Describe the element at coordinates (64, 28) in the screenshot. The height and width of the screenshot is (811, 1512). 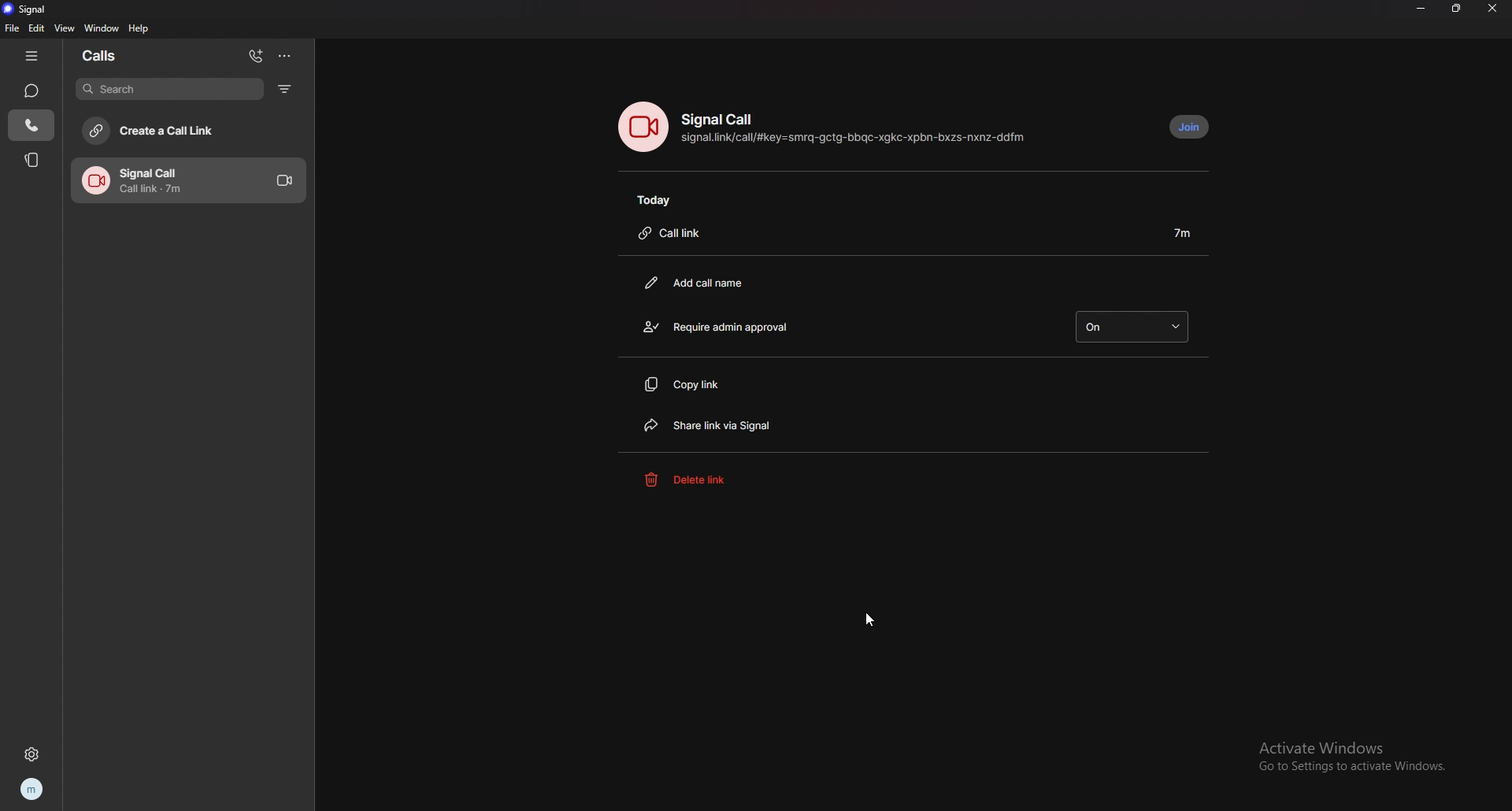
I see `view` at that location.